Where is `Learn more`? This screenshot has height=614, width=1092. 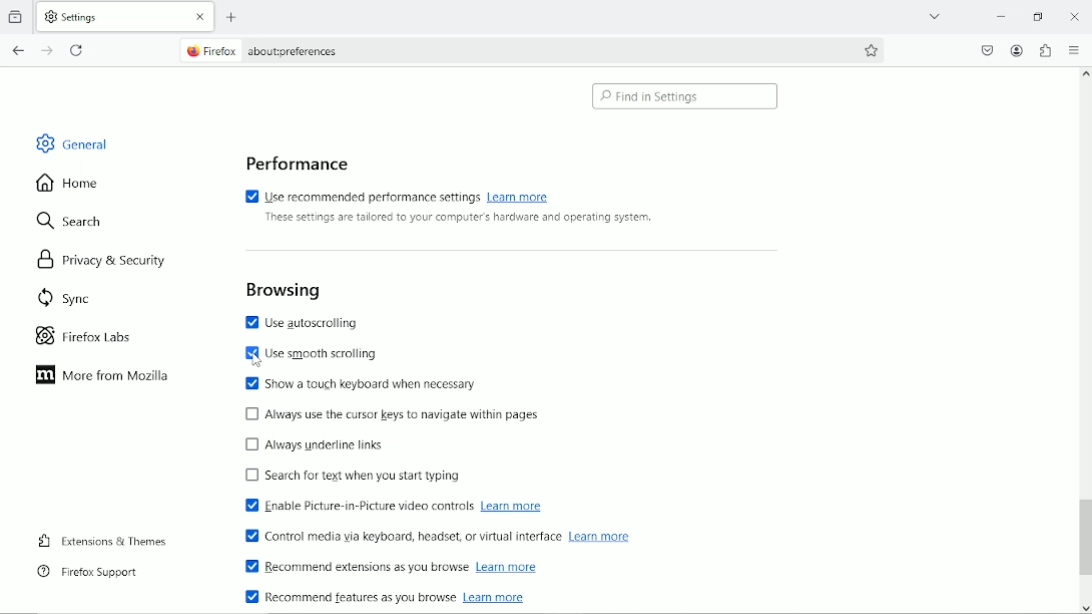
Learn more is located at coordinates (493, 596).